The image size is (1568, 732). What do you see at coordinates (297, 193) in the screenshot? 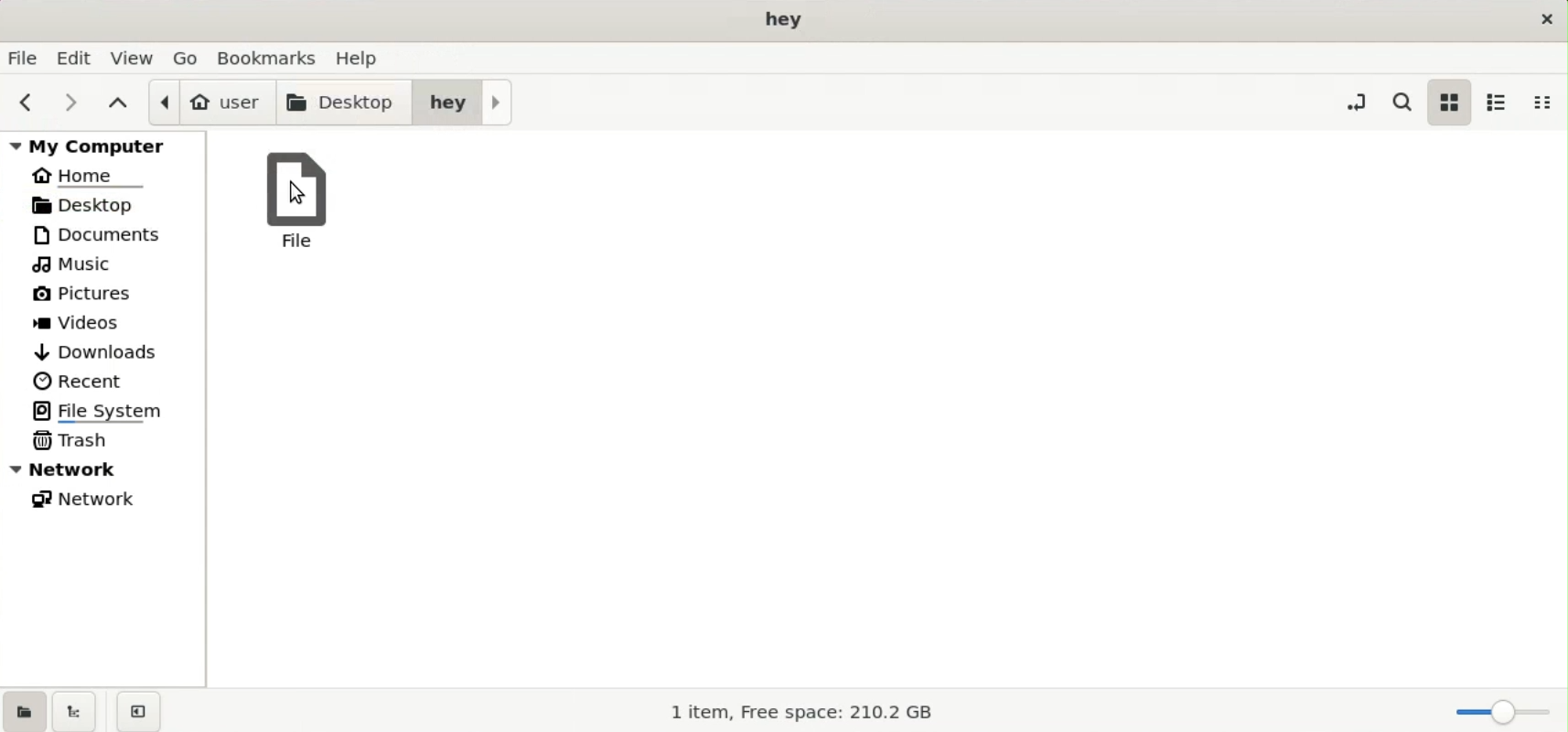
I see `cursor` at bounding box center [297, 193].